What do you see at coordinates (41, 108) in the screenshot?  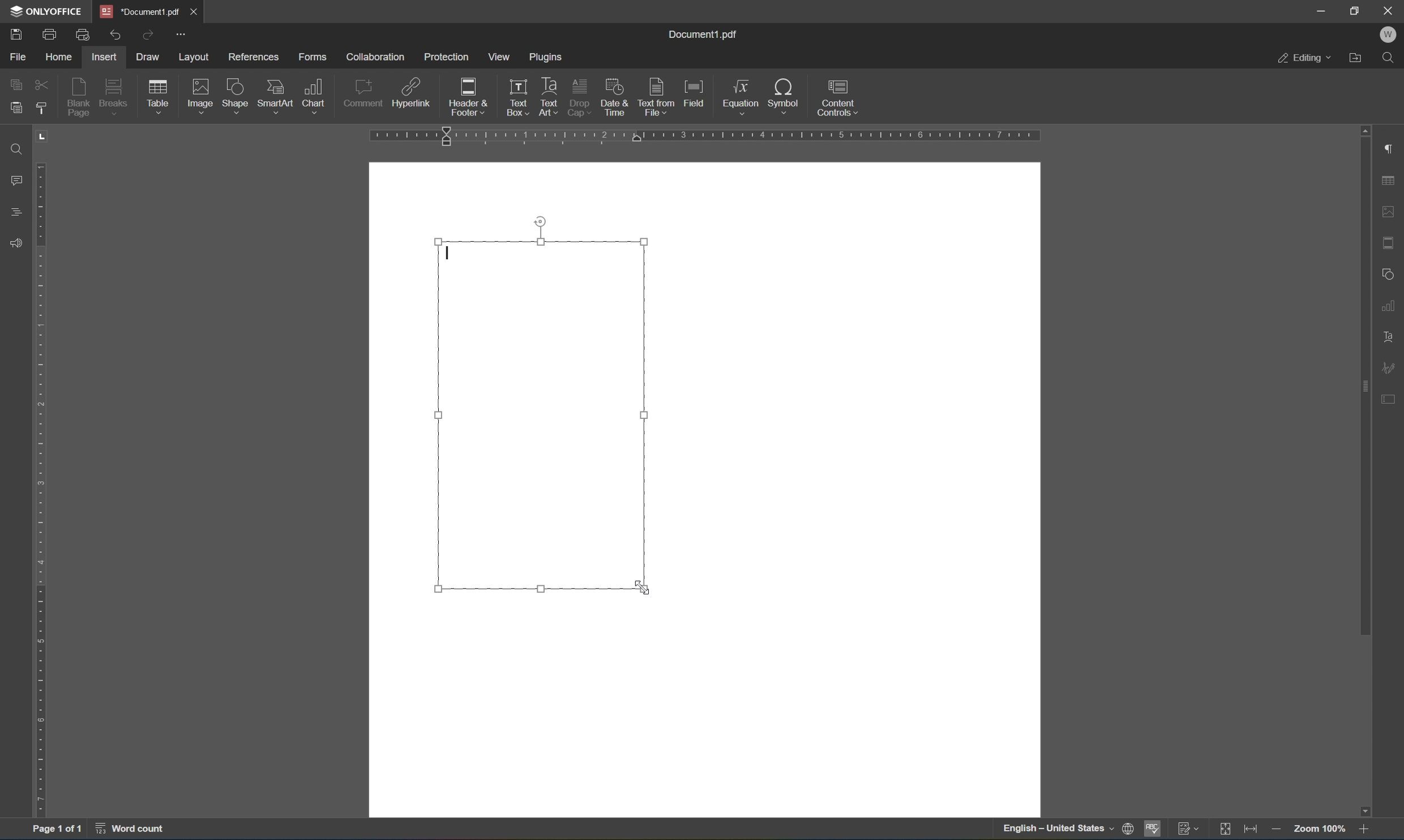 I see `copy style` at bounding box center [41, 108].